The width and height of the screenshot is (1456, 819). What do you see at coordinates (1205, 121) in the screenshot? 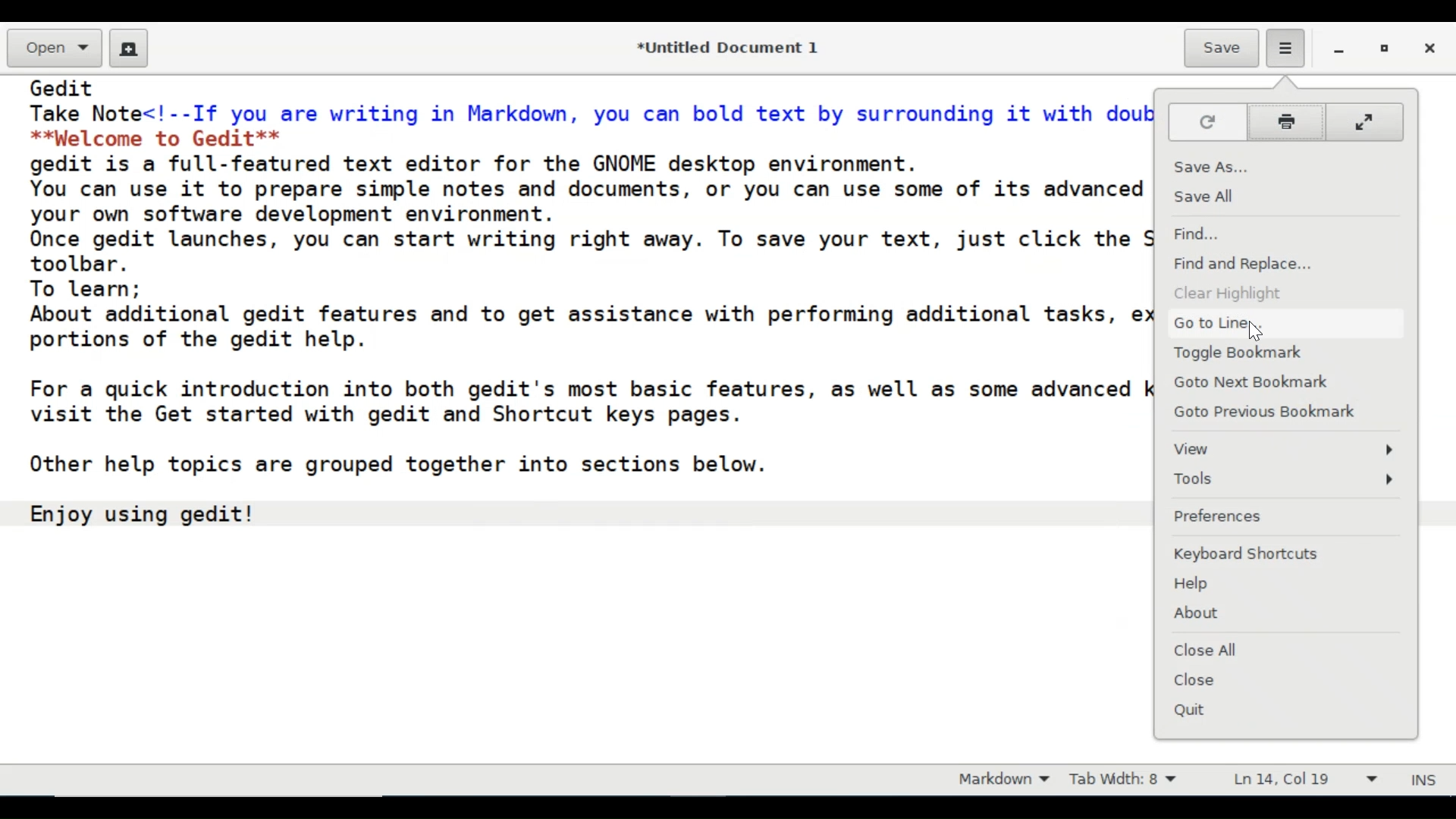
I see `Reload` at bounding box center [1205, 121].